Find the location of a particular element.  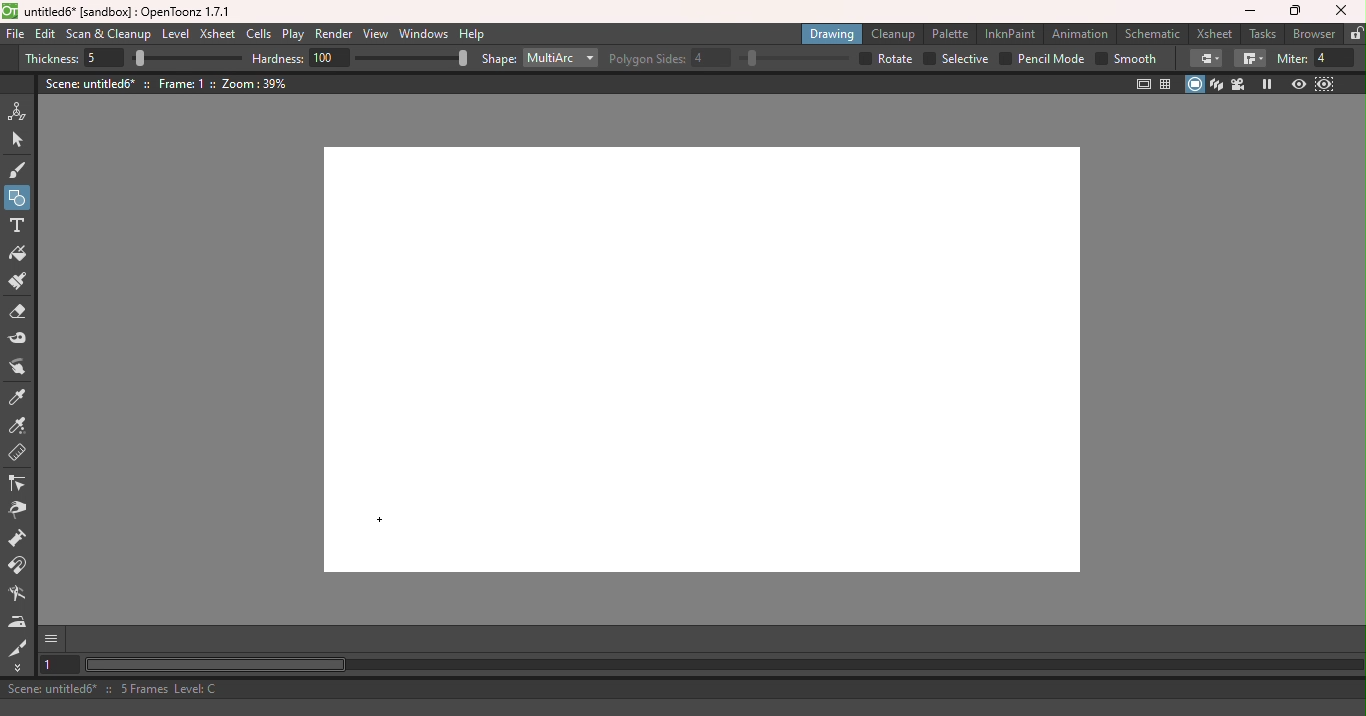

Level is located at coordinates (175, 34).